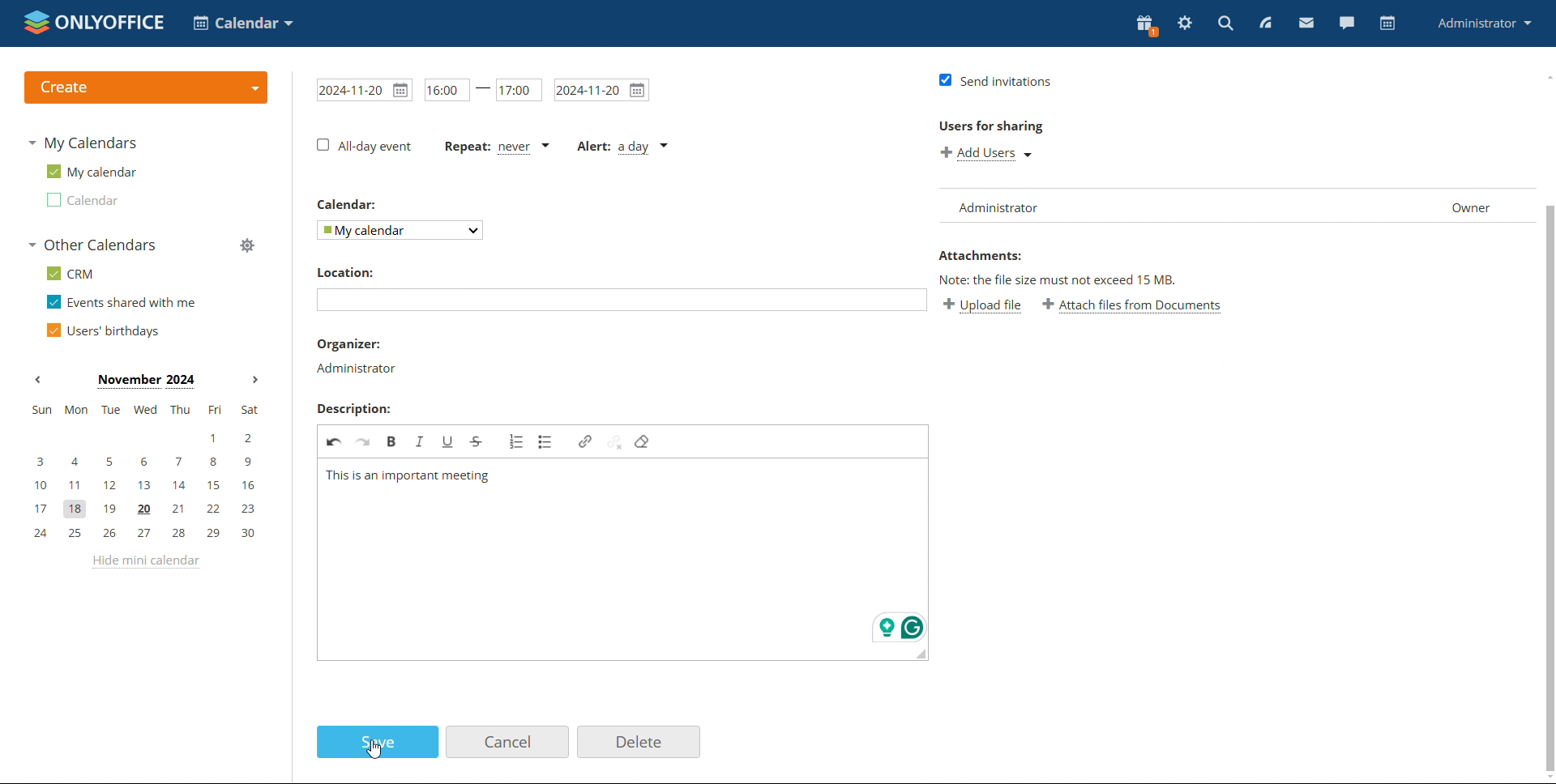 Image resolution: width=1556 pixels, height=784 pixels. What do you see at coordinates (146, 381) in the screenshot?
I see `month on display` at bounding box center [146, 381].